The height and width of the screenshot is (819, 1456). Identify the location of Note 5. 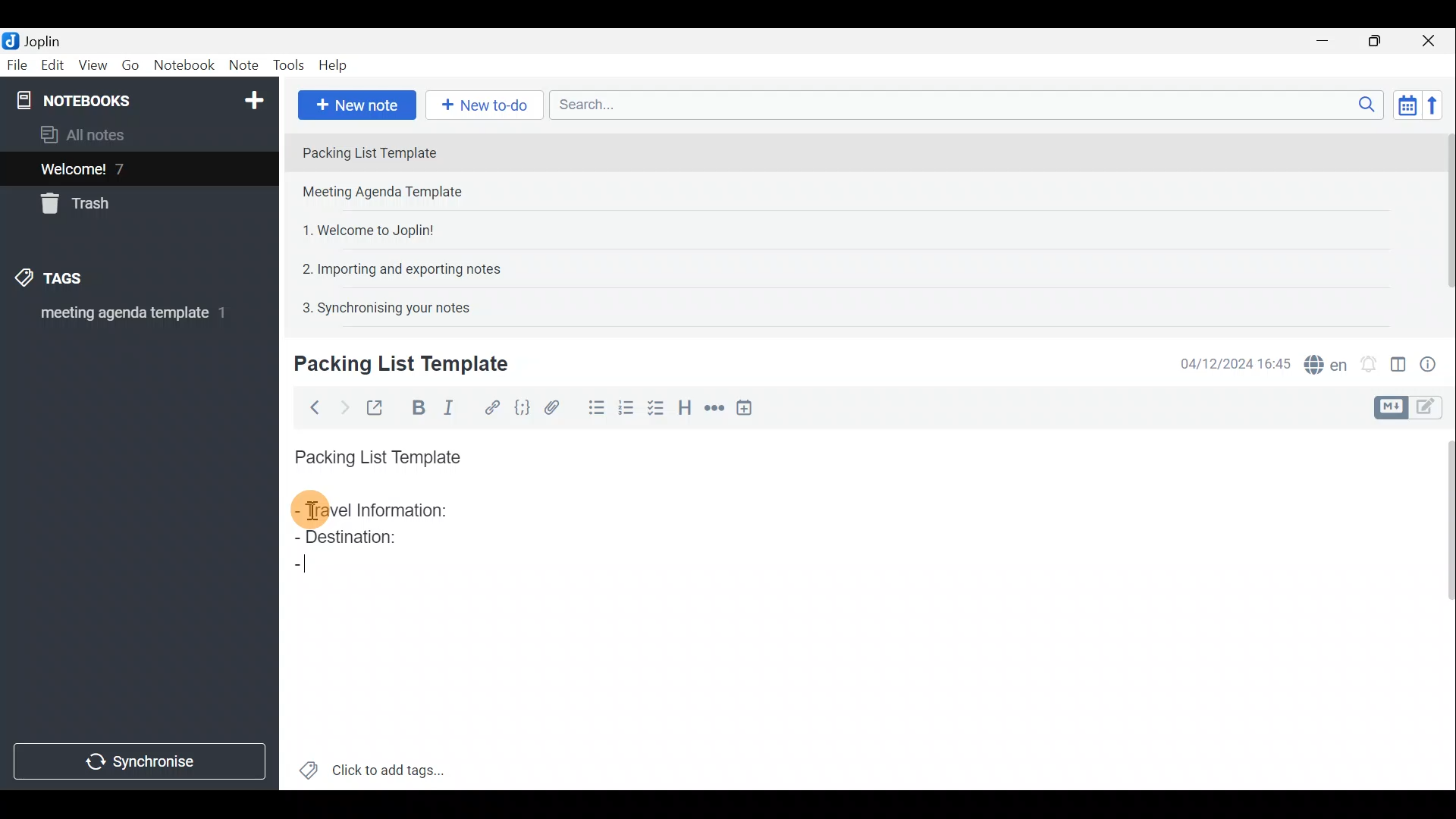
(380, 306).